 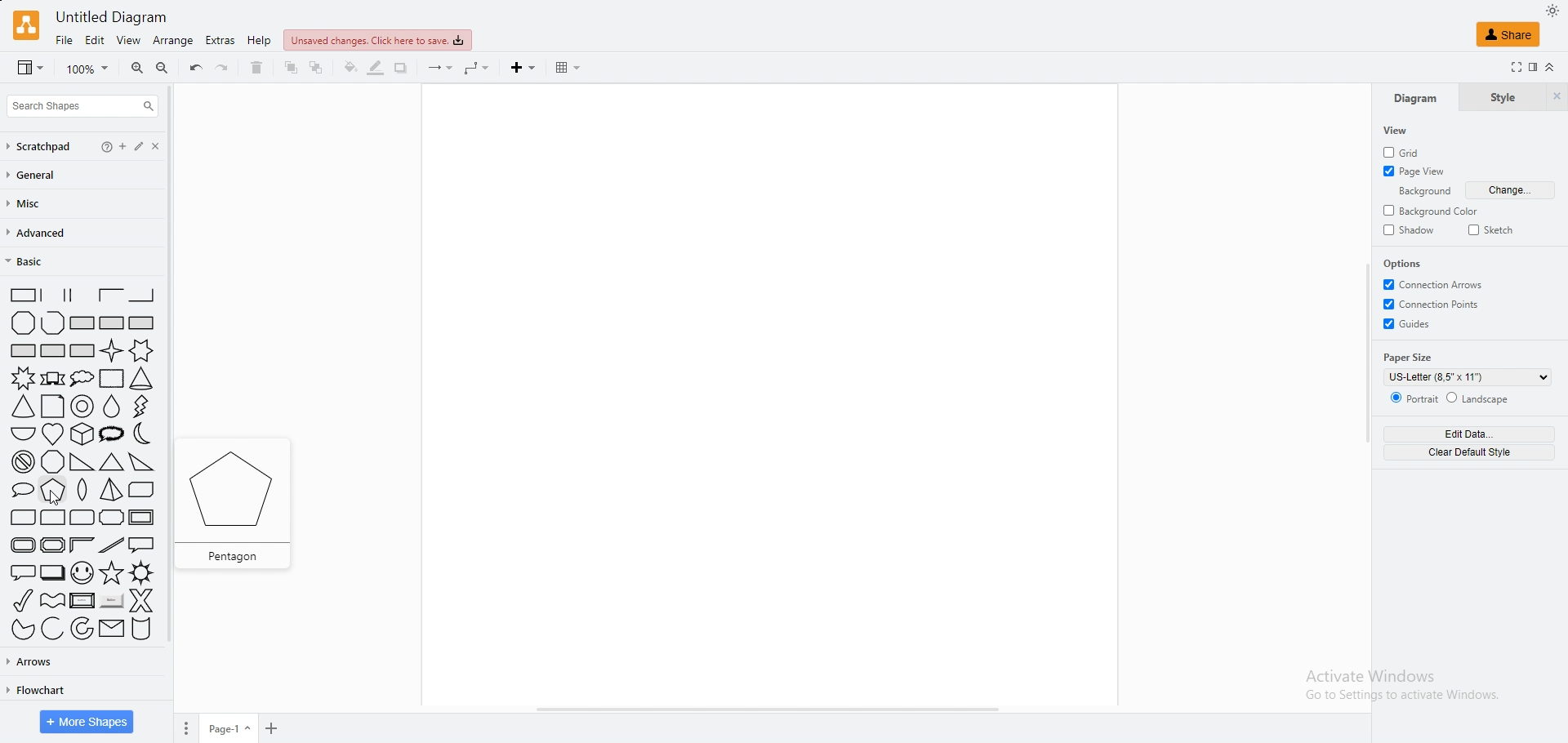 What do you see at coordinates (53, 518) in the screenshot?
I see `corner rounded rectangle` at bounding box center [53, 518].